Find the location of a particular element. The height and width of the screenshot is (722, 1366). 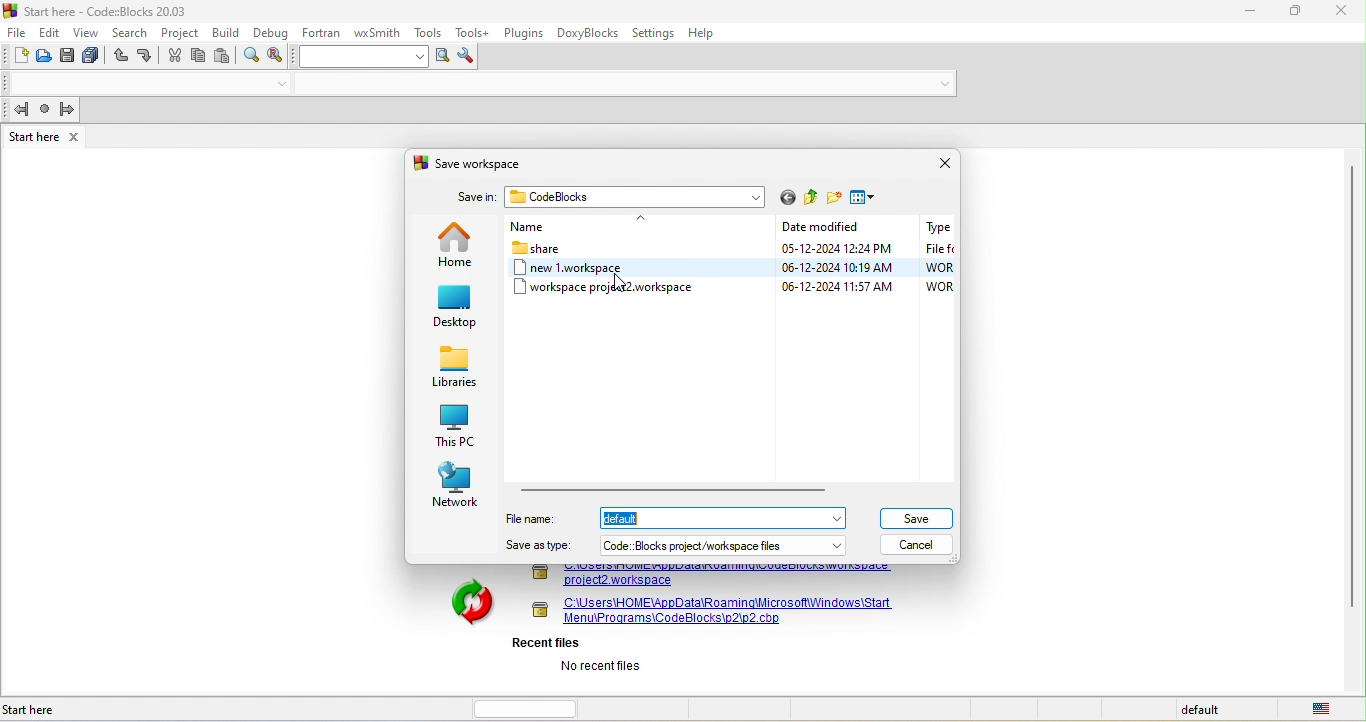

save is located at coordinates (918, 516).